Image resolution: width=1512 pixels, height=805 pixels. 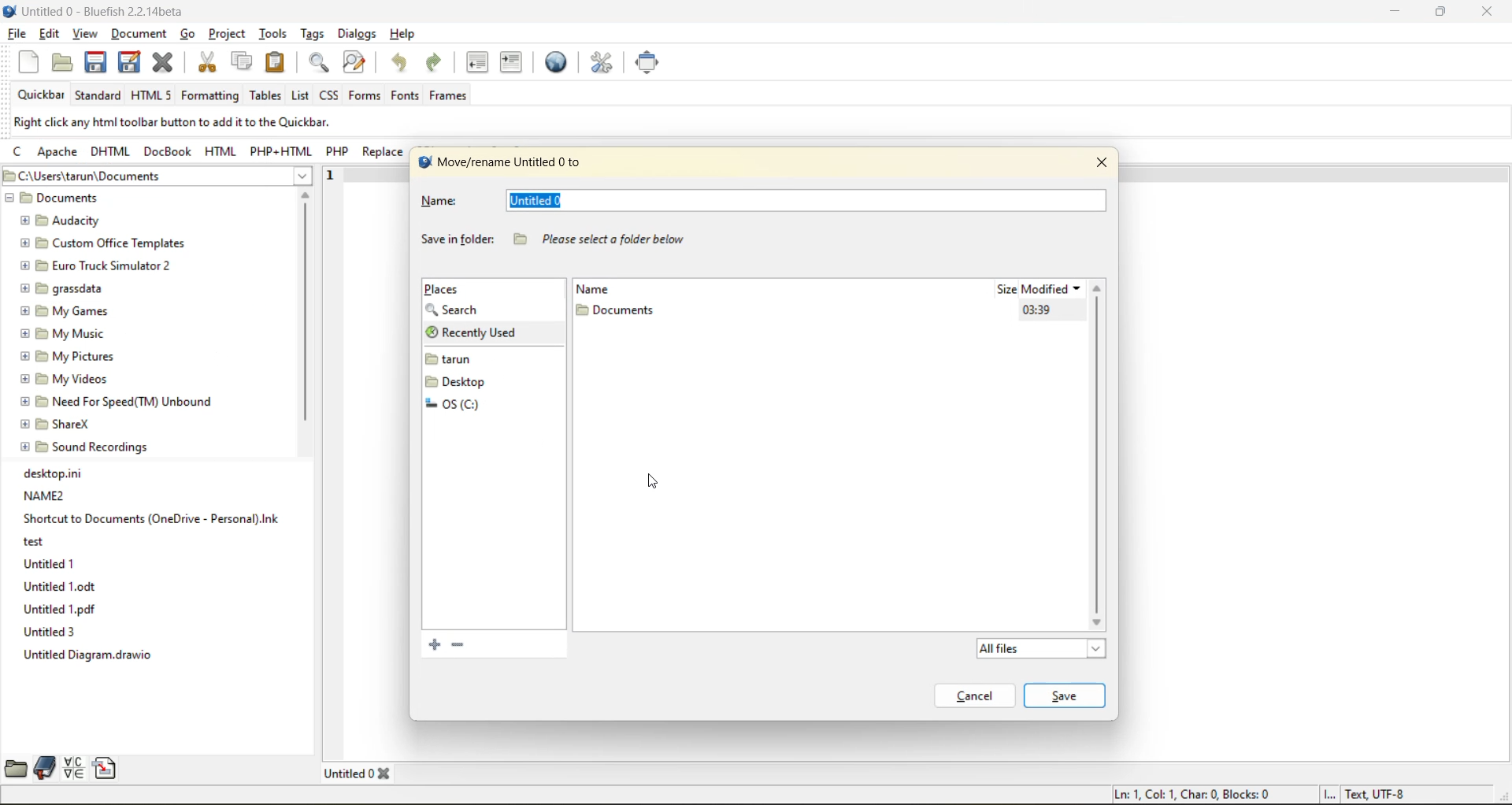 I want to click on find, so click(x=317, y=64).